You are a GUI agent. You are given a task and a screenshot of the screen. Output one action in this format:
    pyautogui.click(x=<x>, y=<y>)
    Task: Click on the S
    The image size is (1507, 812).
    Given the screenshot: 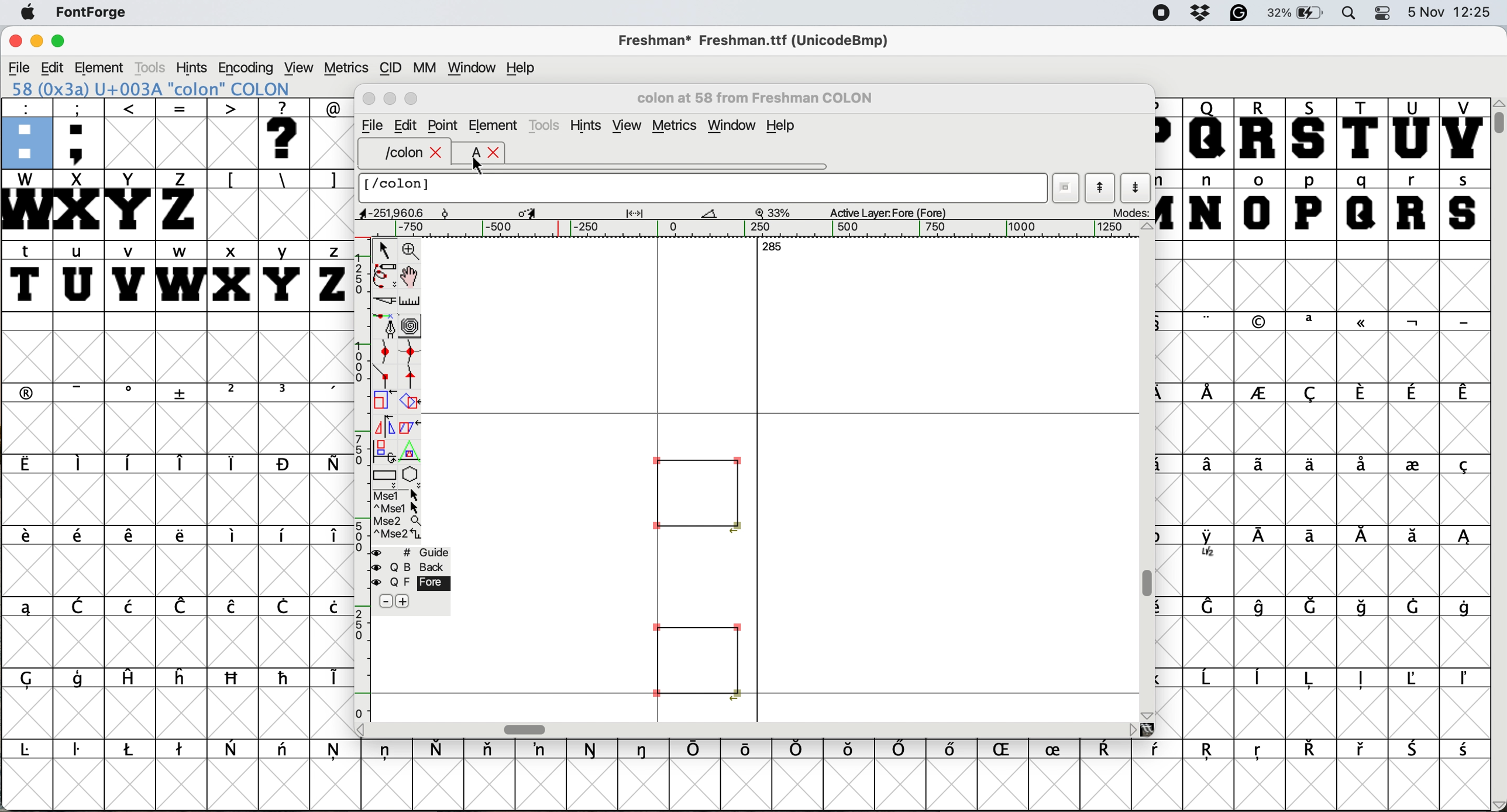 What is the action you would take?
    pyautogui.click(x=1312, y=133)
    